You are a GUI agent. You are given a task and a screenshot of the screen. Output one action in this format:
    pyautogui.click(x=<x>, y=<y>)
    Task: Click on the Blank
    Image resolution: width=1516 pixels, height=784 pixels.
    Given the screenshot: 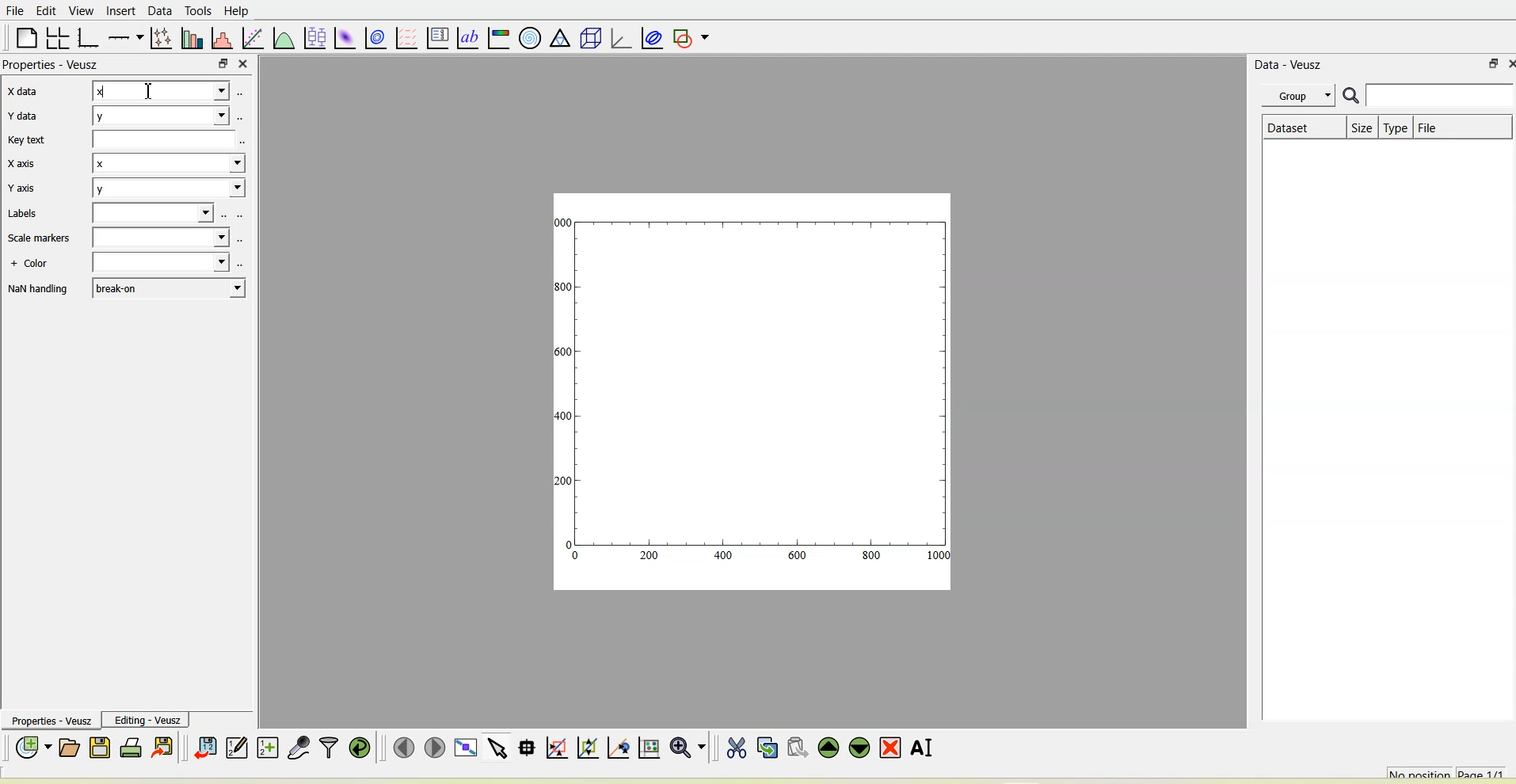 What is the action you would take?
    pyautogui.click(x=158, y=237)
    